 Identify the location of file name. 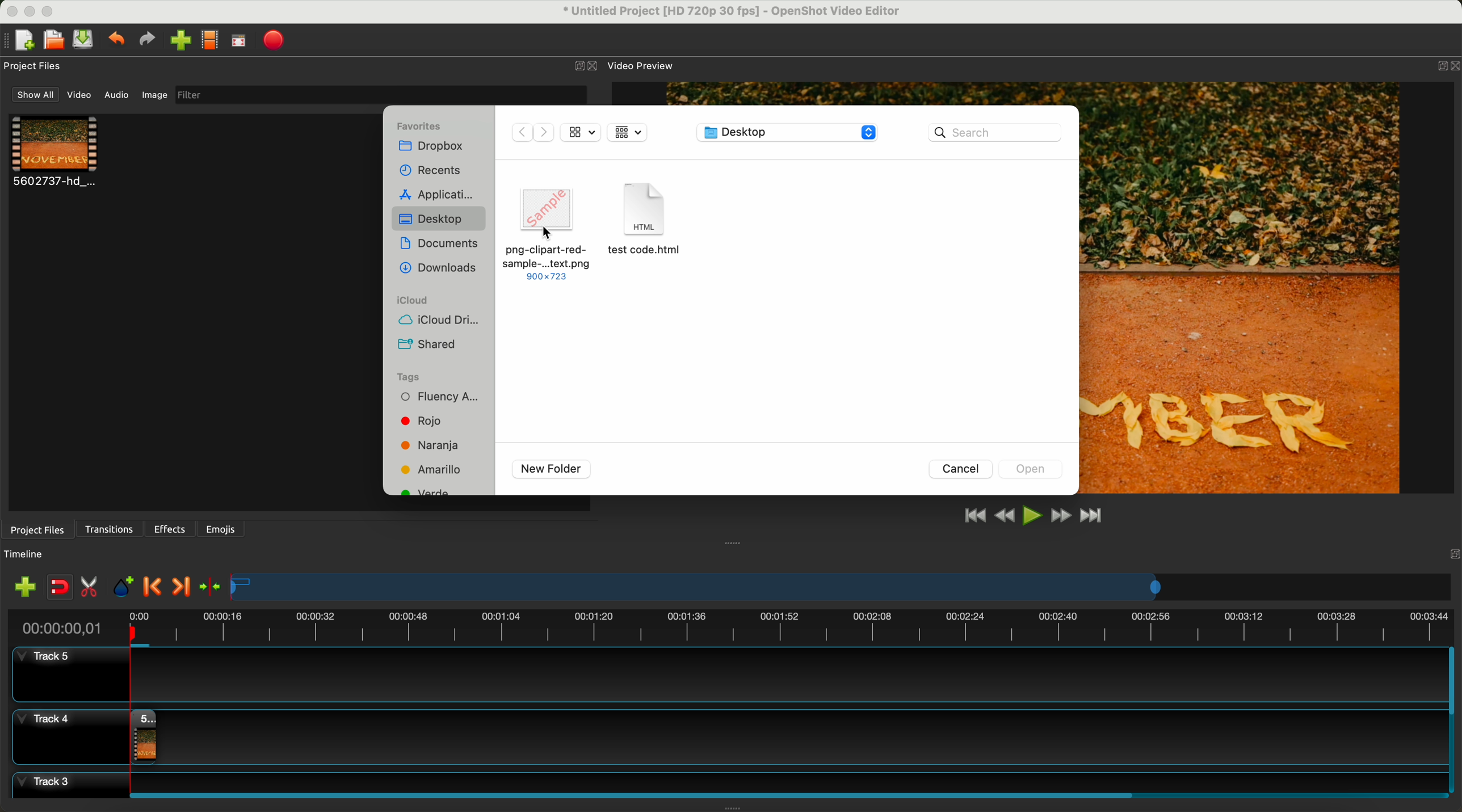
(725, 13).